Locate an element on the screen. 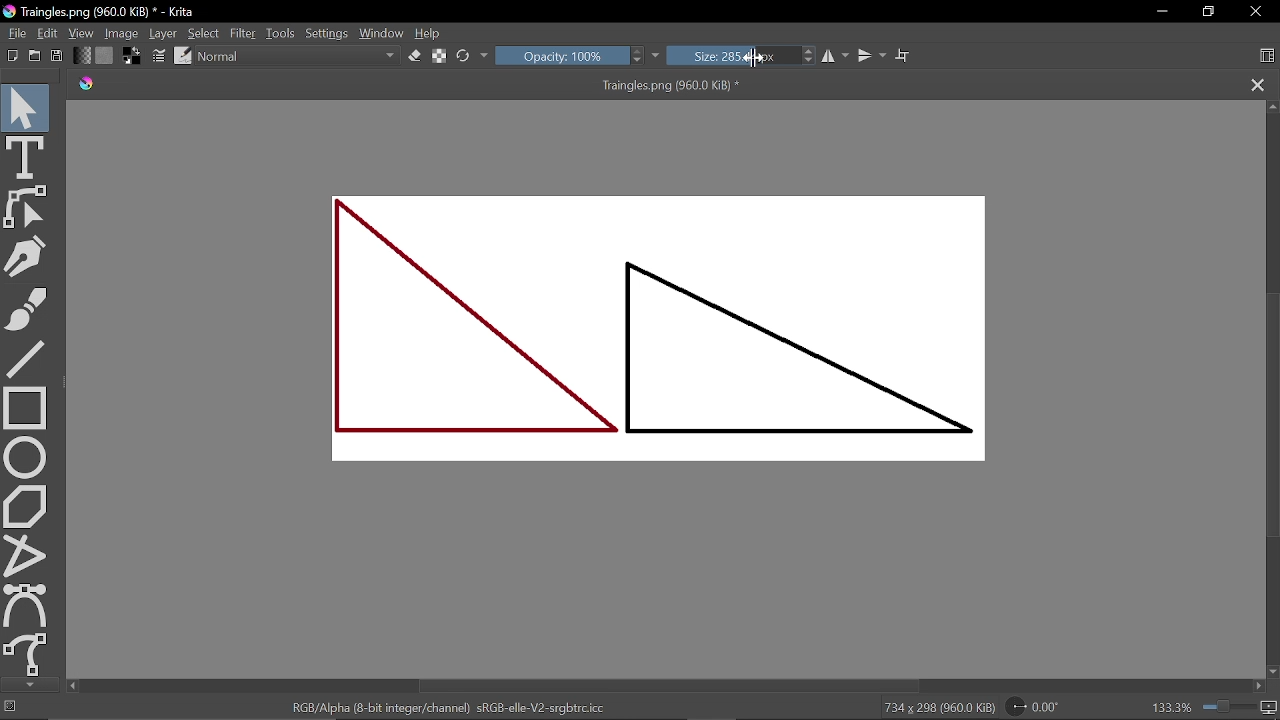 Image resolution: width=1280 pixels, height=720 pixels. Close is located at coordinates (1253, 12).